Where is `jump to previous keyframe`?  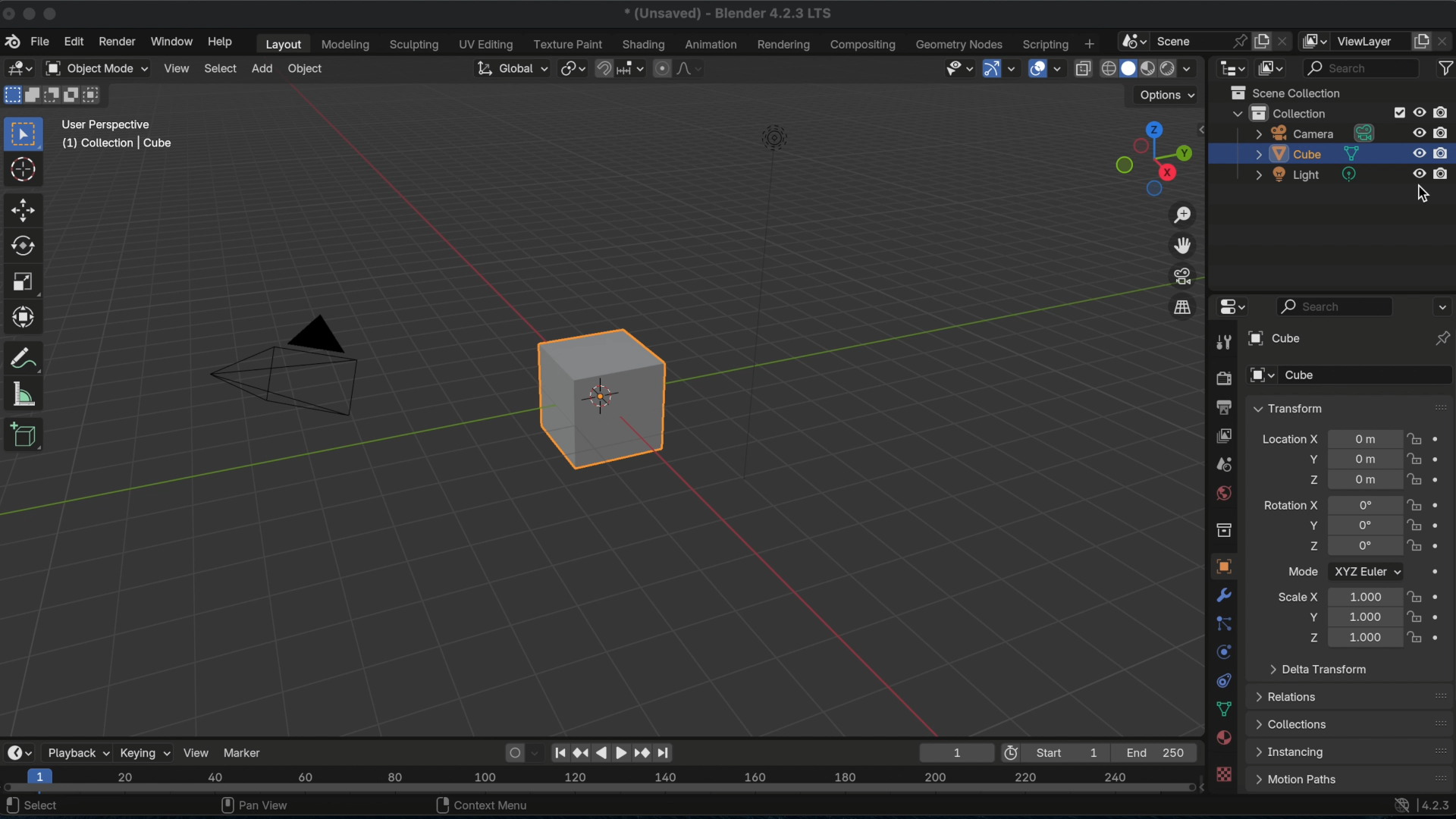
jump to previous keyframe is located at coordinates (579, 753).